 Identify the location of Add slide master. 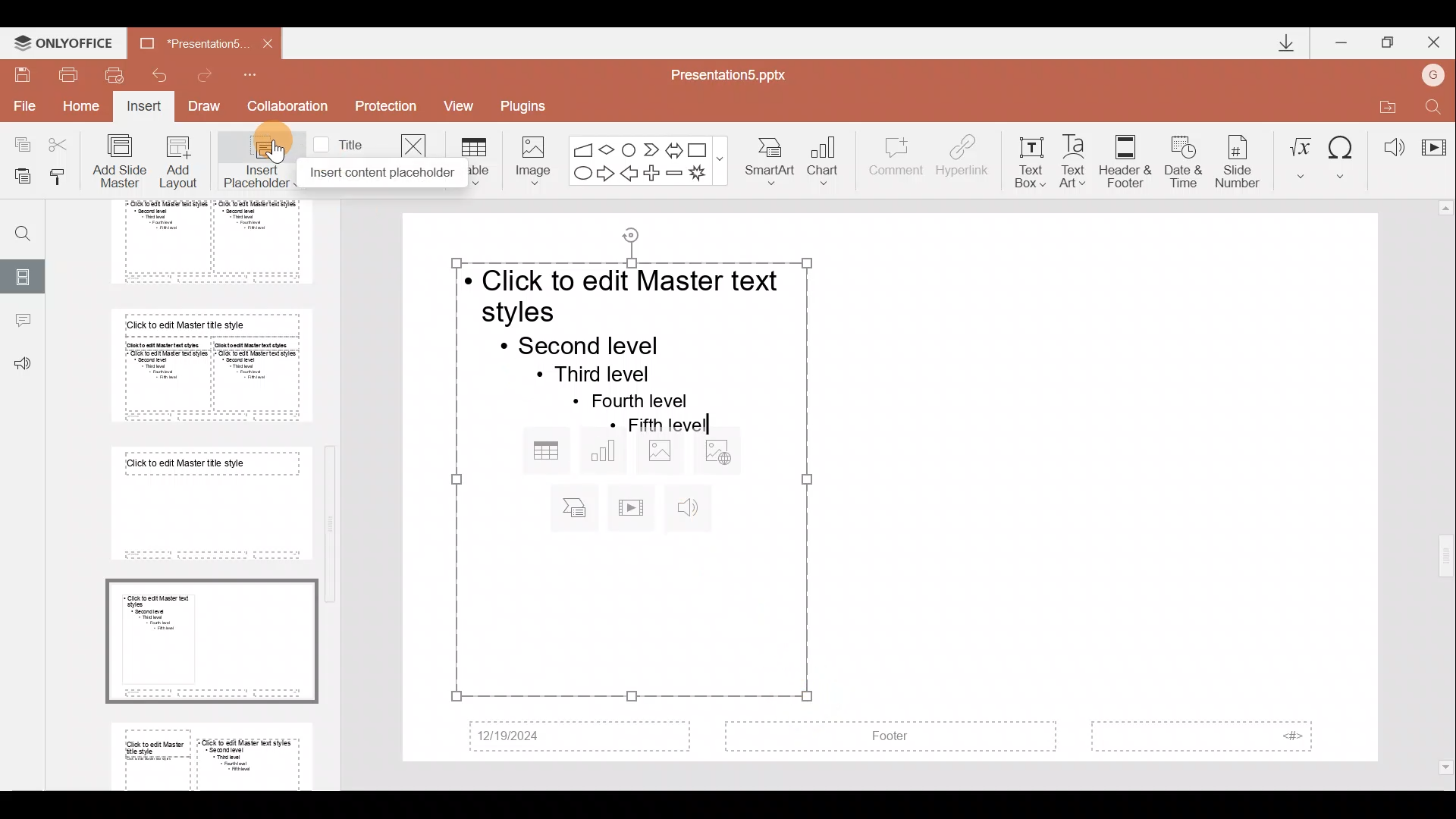
(123, 162).